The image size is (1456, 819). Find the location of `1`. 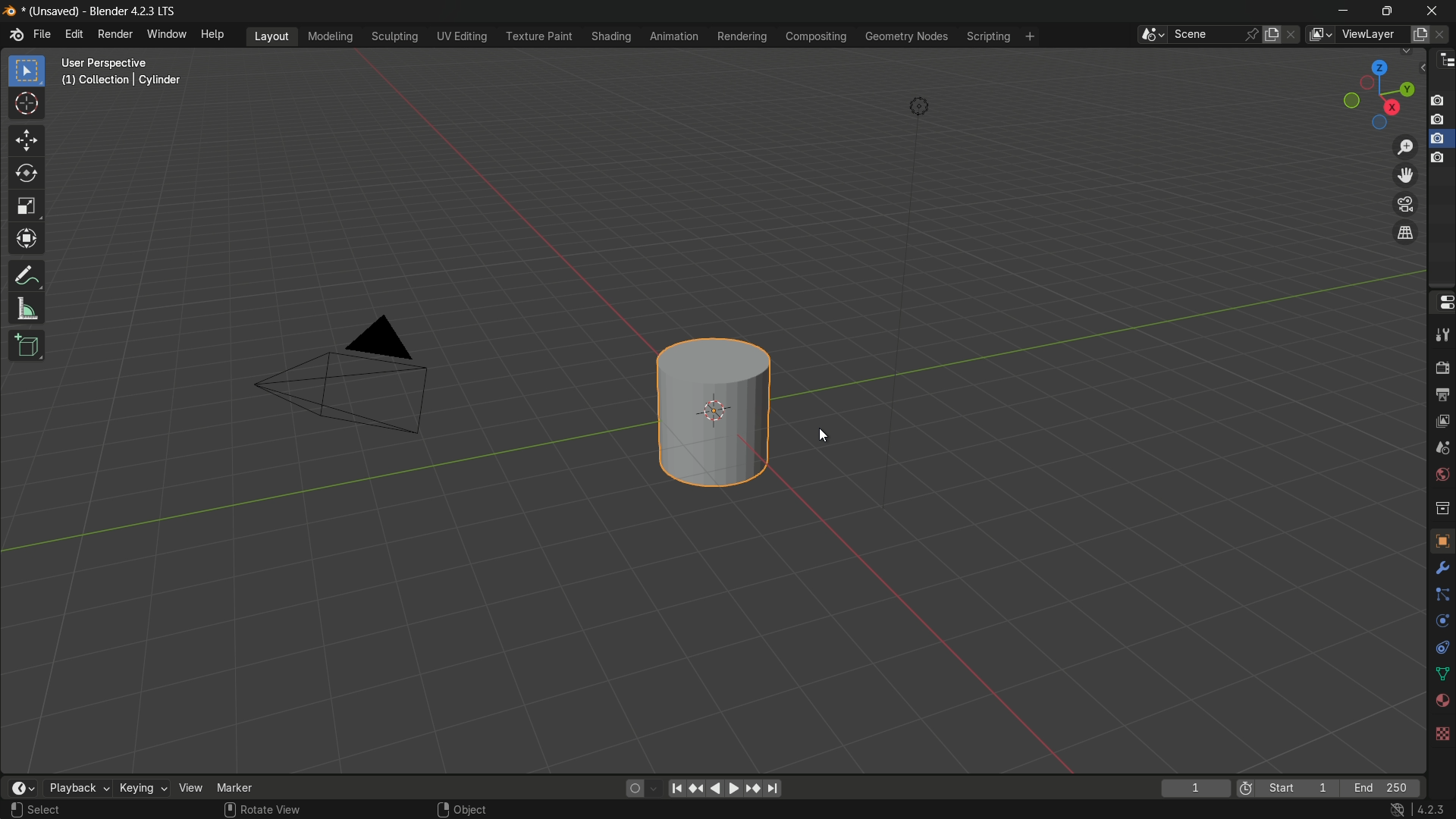

1 is located at coordinates (1194, 789).